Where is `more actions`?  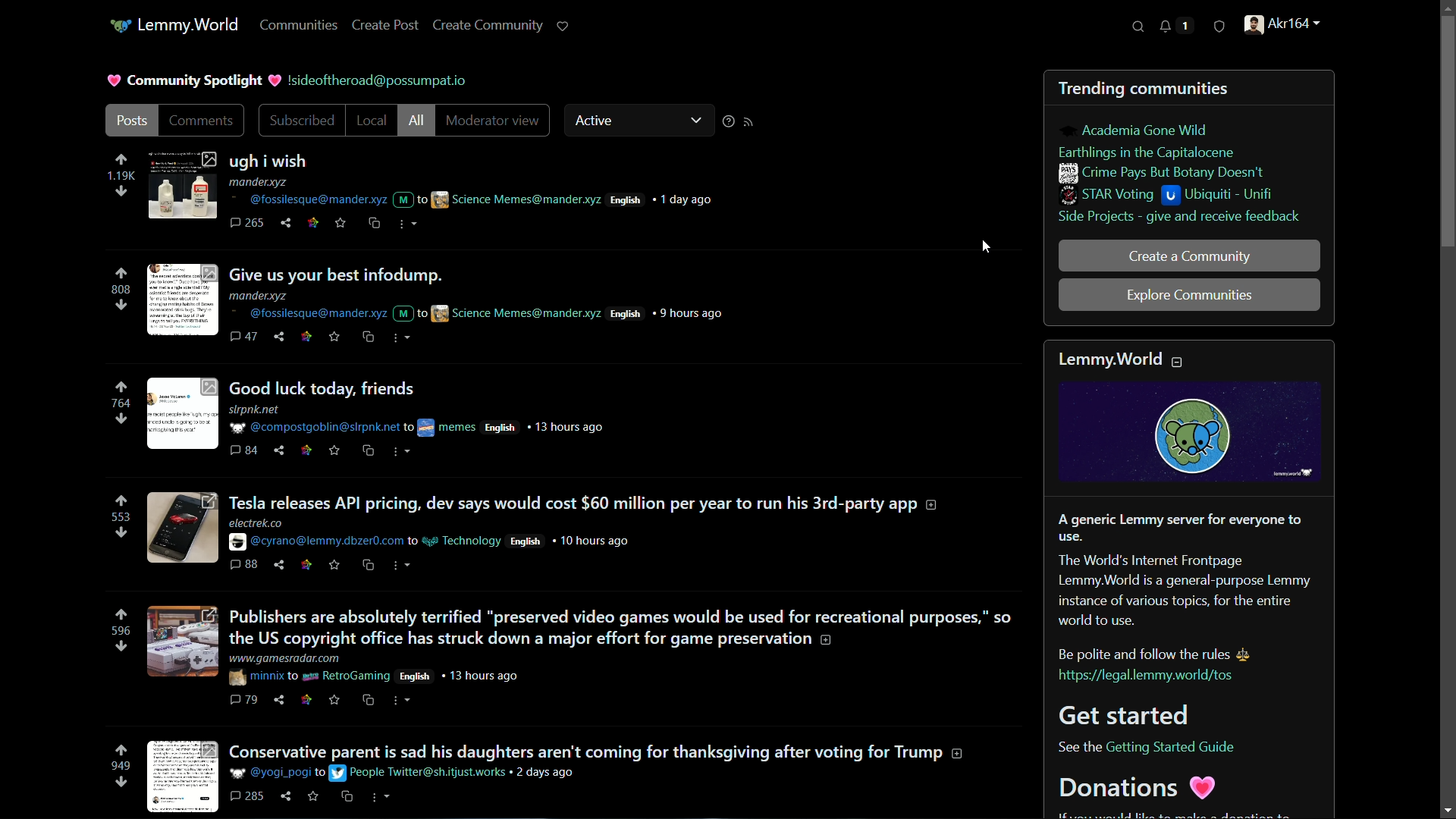
more actions is located at coordinates (401, 700).